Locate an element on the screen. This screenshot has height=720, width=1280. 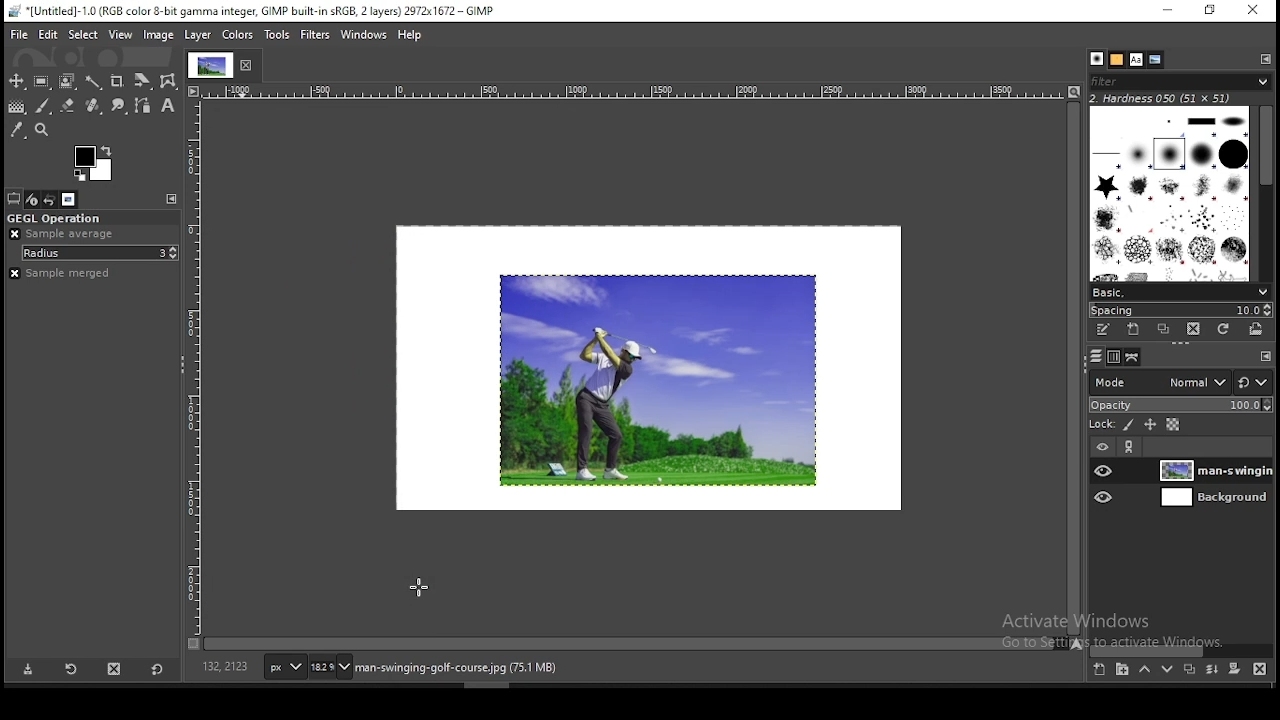
refresh brushes is located at coordinates (1224, 329).